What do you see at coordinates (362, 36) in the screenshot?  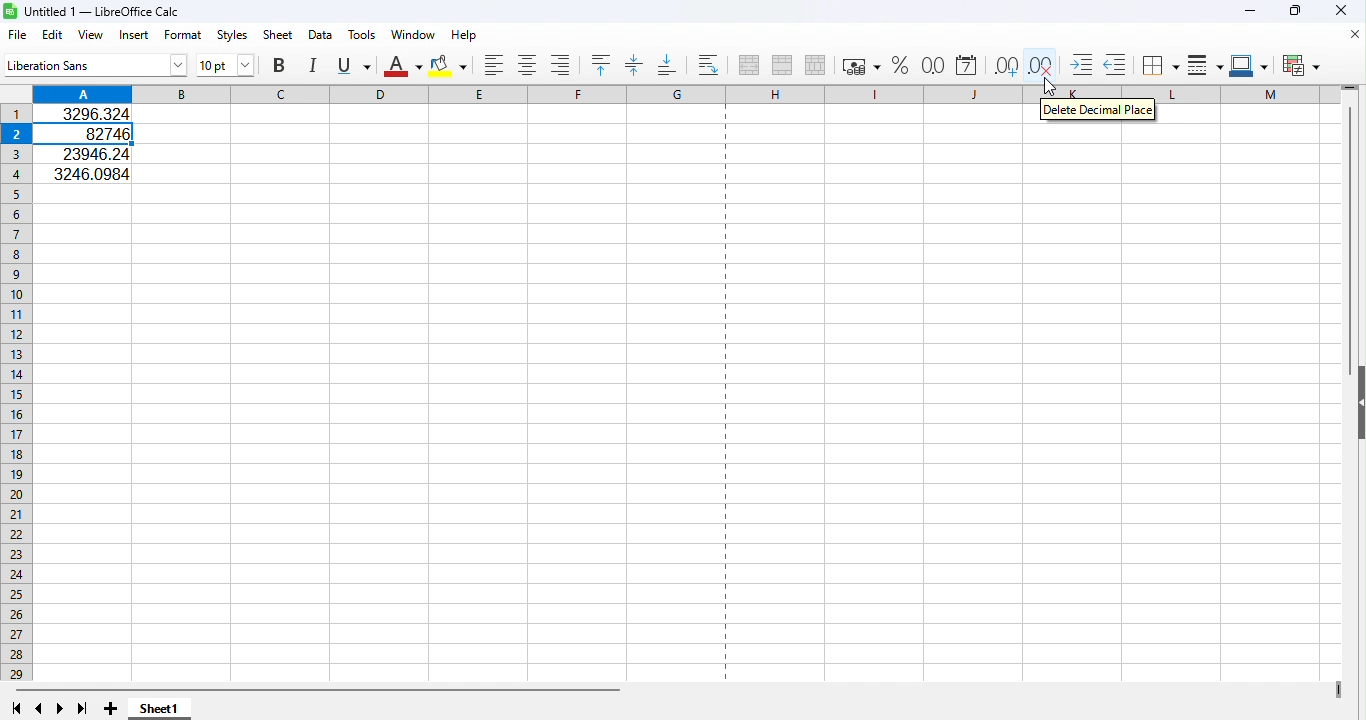 I see `Tools` at bounding box center [362, 36].